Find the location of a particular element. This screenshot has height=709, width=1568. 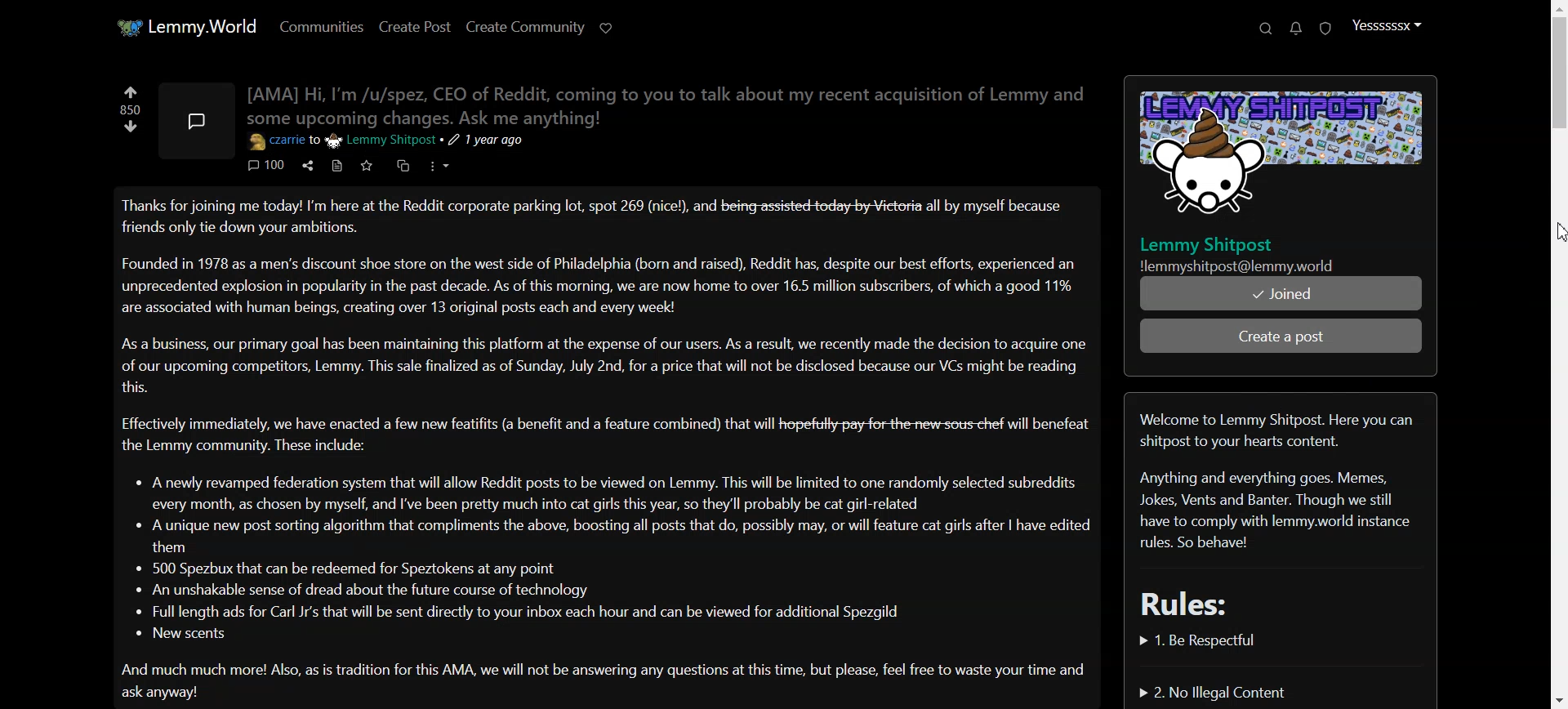

Image is located at coordinates (196, 121).